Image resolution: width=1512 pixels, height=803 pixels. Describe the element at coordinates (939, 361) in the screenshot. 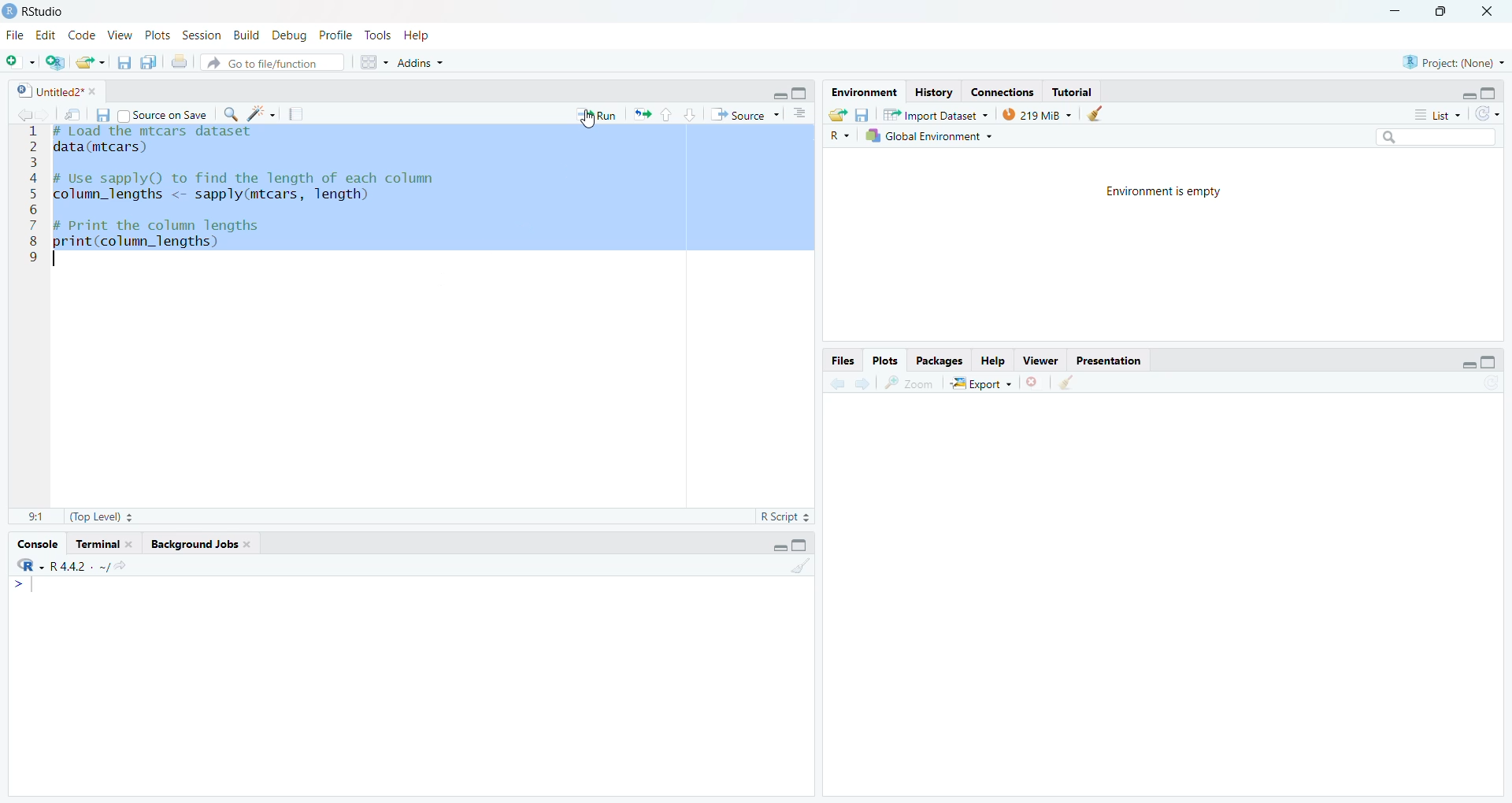

I see `Packages` at that location.